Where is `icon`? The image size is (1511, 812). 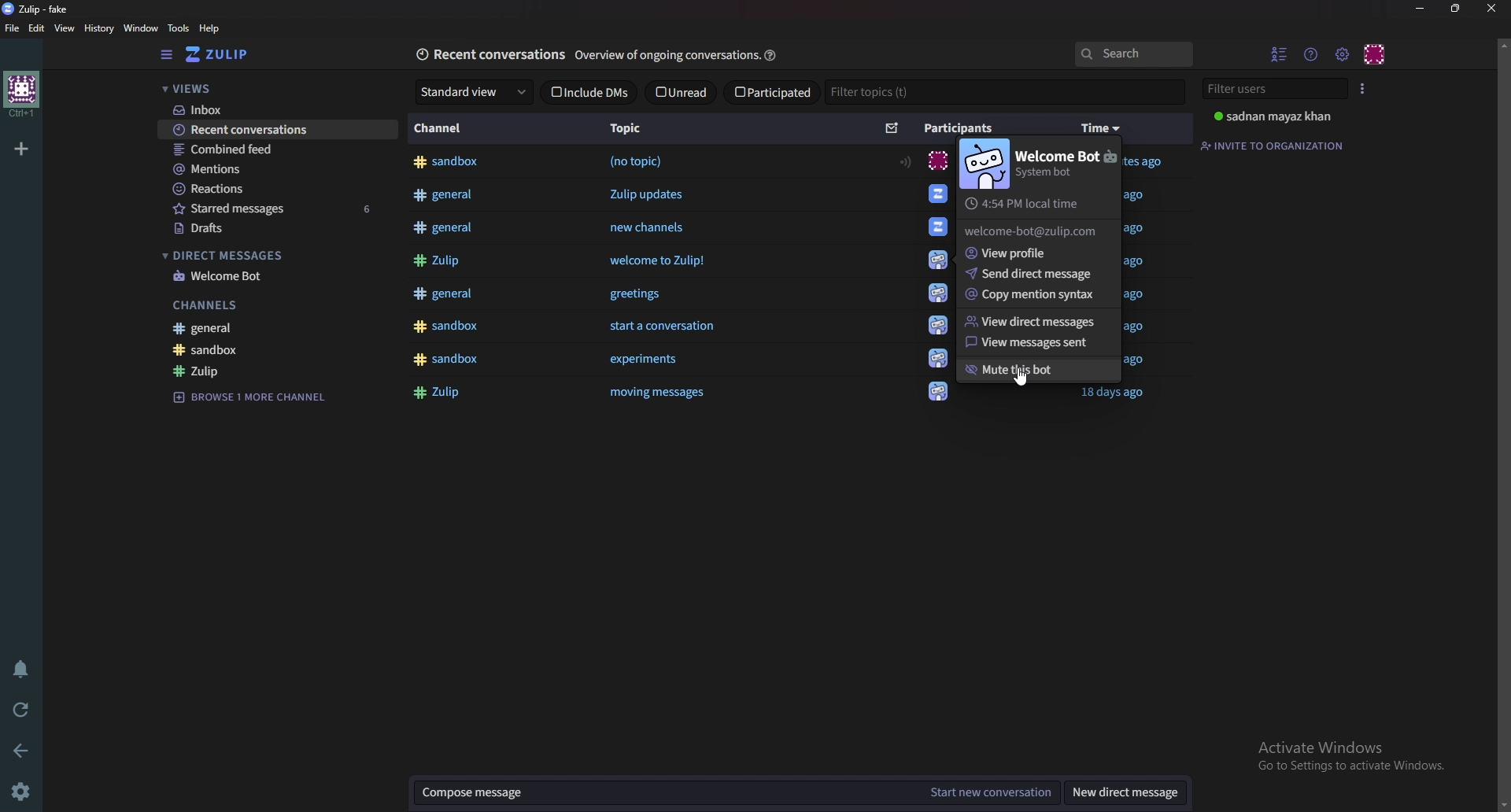 icon is located at coordinates (935, 326).